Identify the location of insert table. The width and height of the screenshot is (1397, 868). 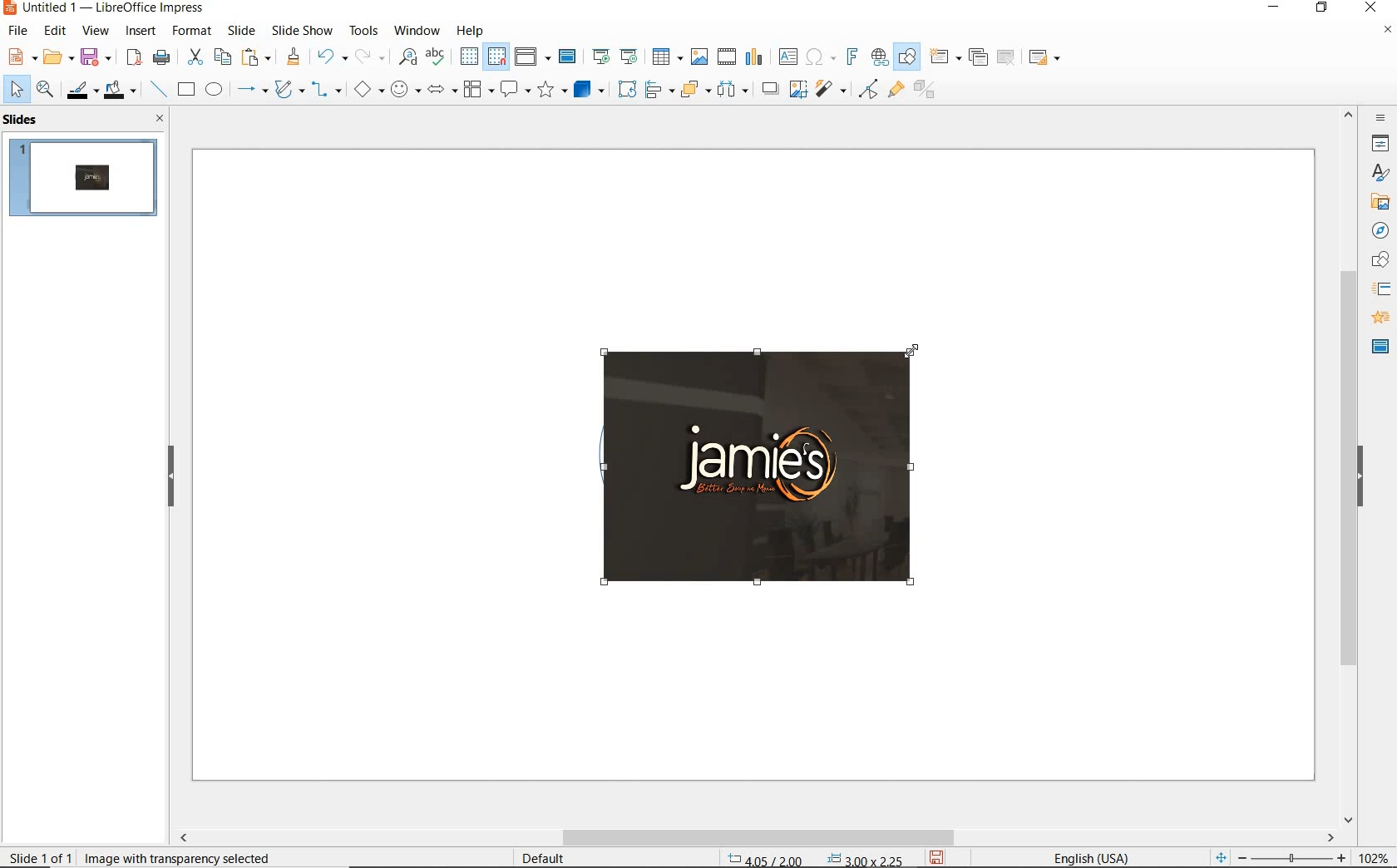
(665, 57).